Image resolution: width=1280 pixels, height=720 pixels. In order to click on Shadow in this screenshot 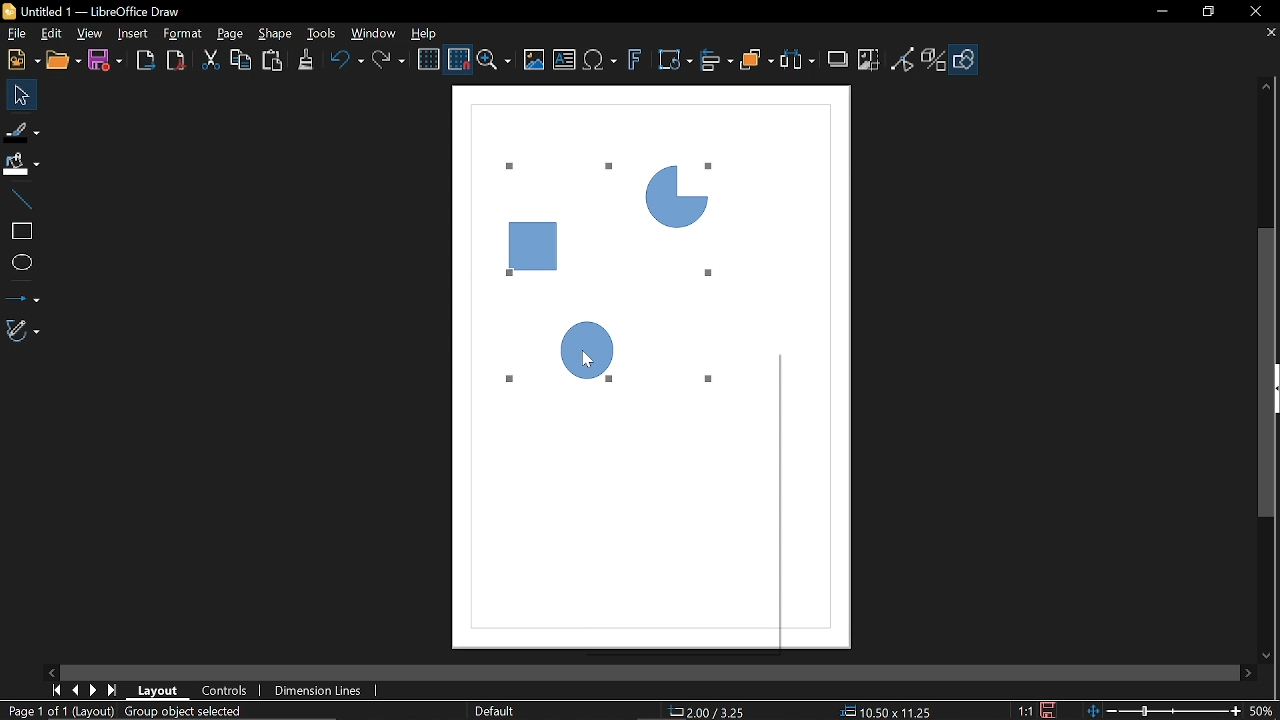, I will do `click(838, 60)`.